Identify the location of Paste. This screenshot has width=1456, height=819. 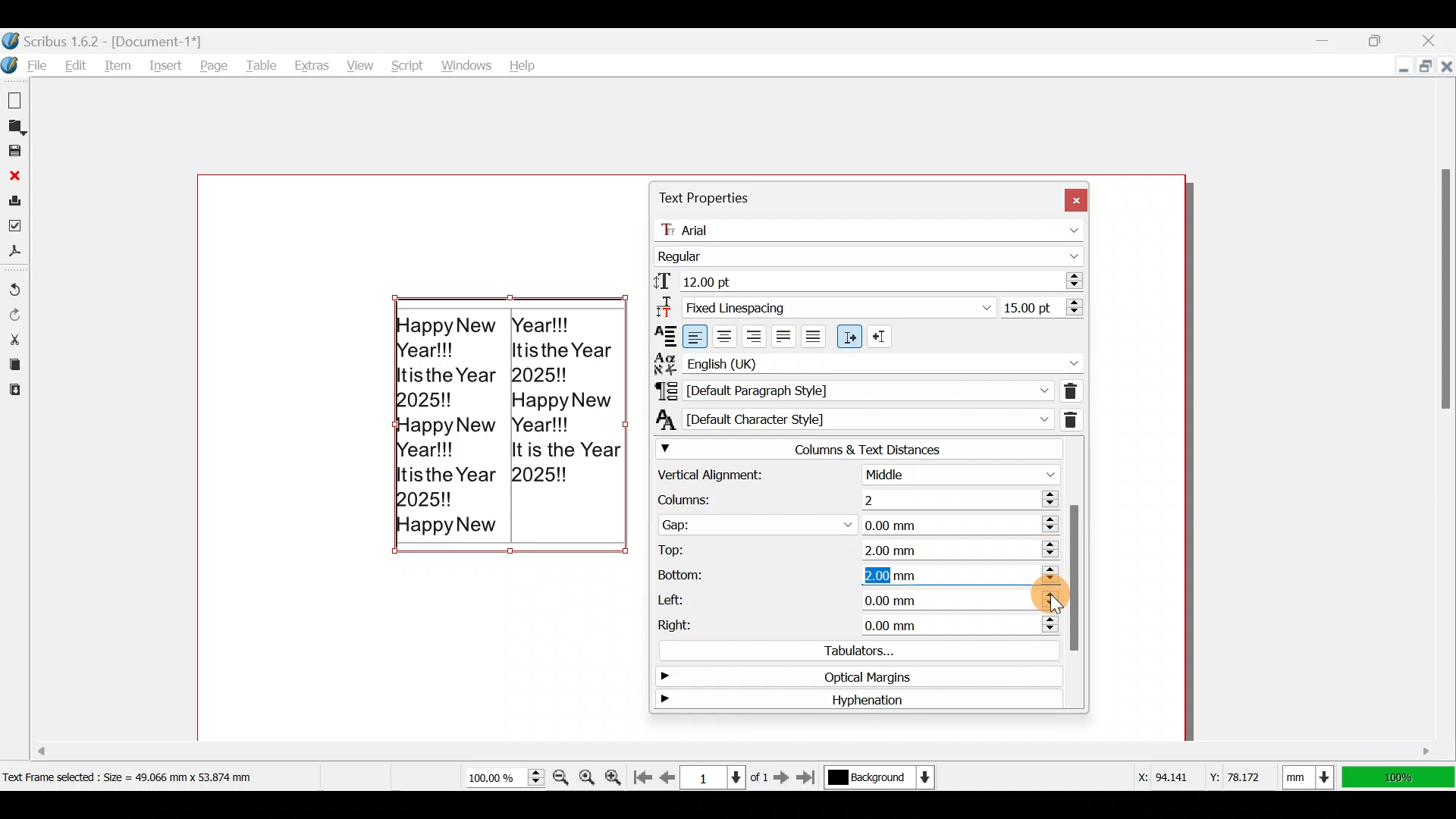
(14, 392).